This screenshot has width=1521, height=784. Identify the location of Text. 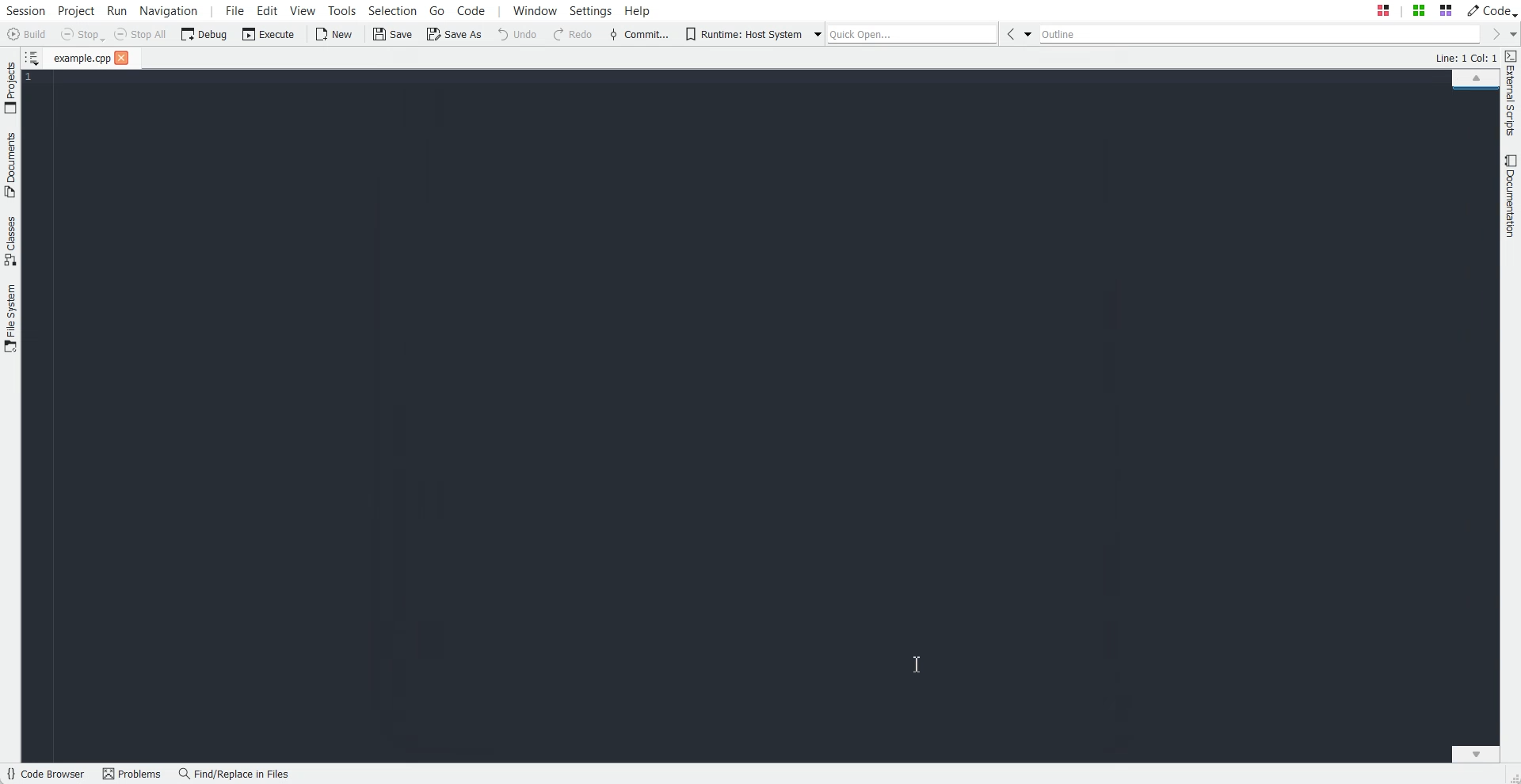
(1466, 57).